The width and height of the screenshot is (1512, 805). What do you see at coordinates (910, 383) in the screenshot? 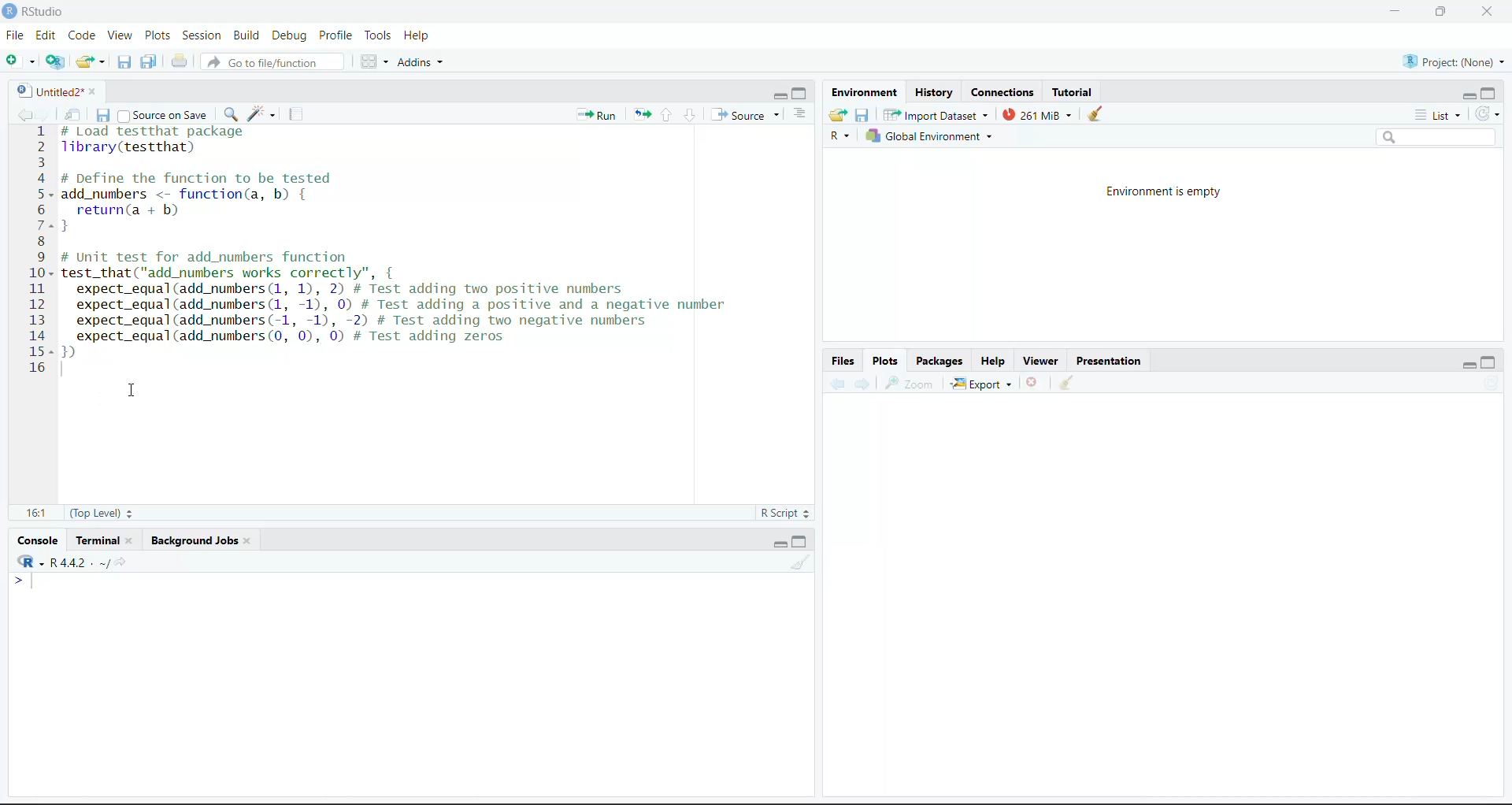
I see `Zoom` at bounding box center [910, 383].